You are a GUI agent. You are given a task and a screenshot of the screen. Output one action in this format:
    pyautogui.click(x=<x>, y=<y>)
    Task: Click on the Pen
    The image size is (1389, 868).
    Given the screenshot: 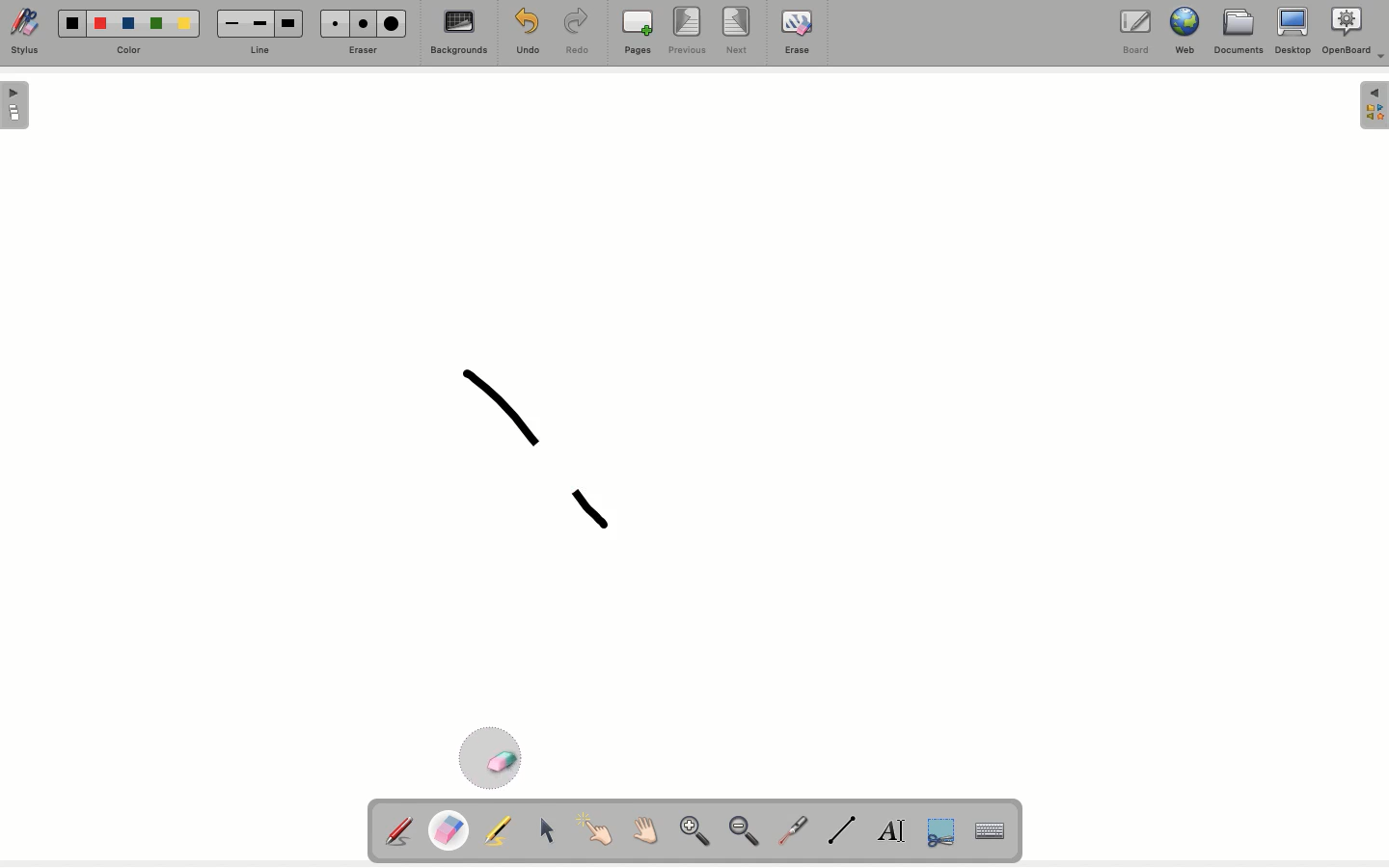 What is the action you would take?
    pyautogui.click(x=401, y=829)
    